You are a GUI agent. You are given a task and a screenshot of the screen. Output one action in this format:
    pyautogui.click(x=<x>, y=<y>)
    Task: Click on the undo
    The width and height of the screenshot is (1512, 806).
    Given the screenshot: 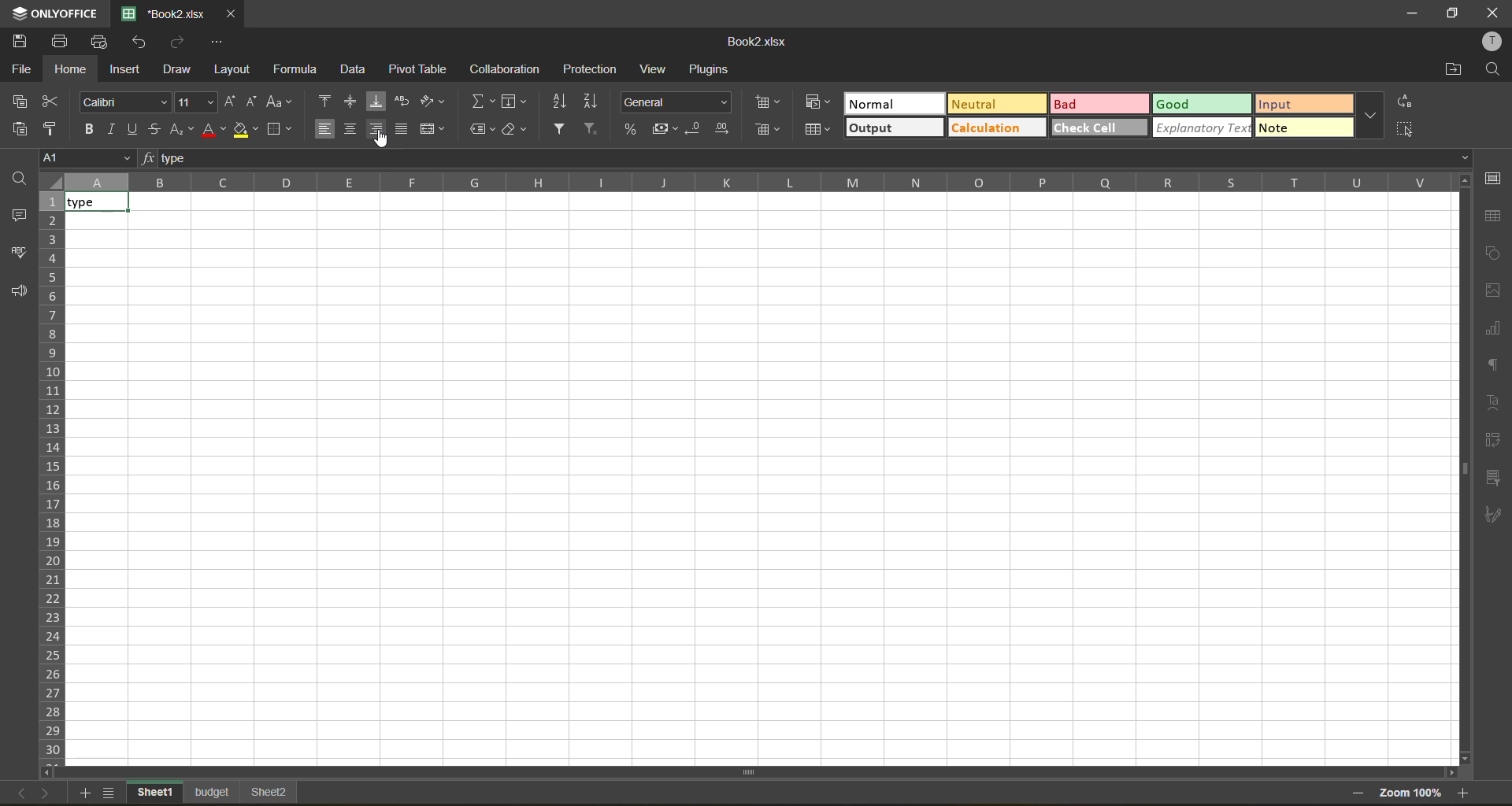 What is the action you would take?
    pyautogui.click(x=137, y=43)
    